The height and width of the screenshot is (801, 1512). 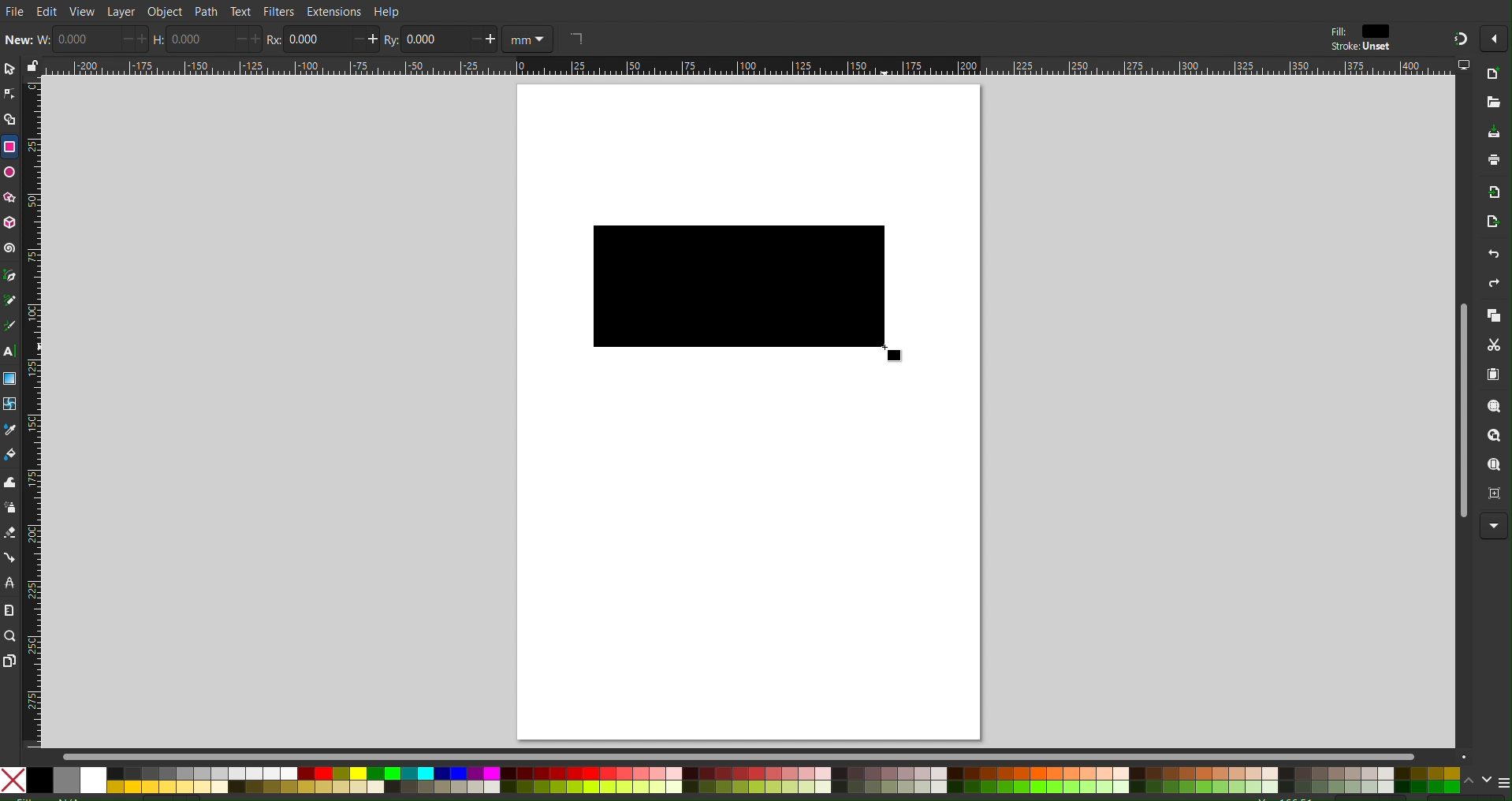 What do you see at coordinates (240, 12) in the screenshot?
I see `Text` at bounding box center [240, 12].